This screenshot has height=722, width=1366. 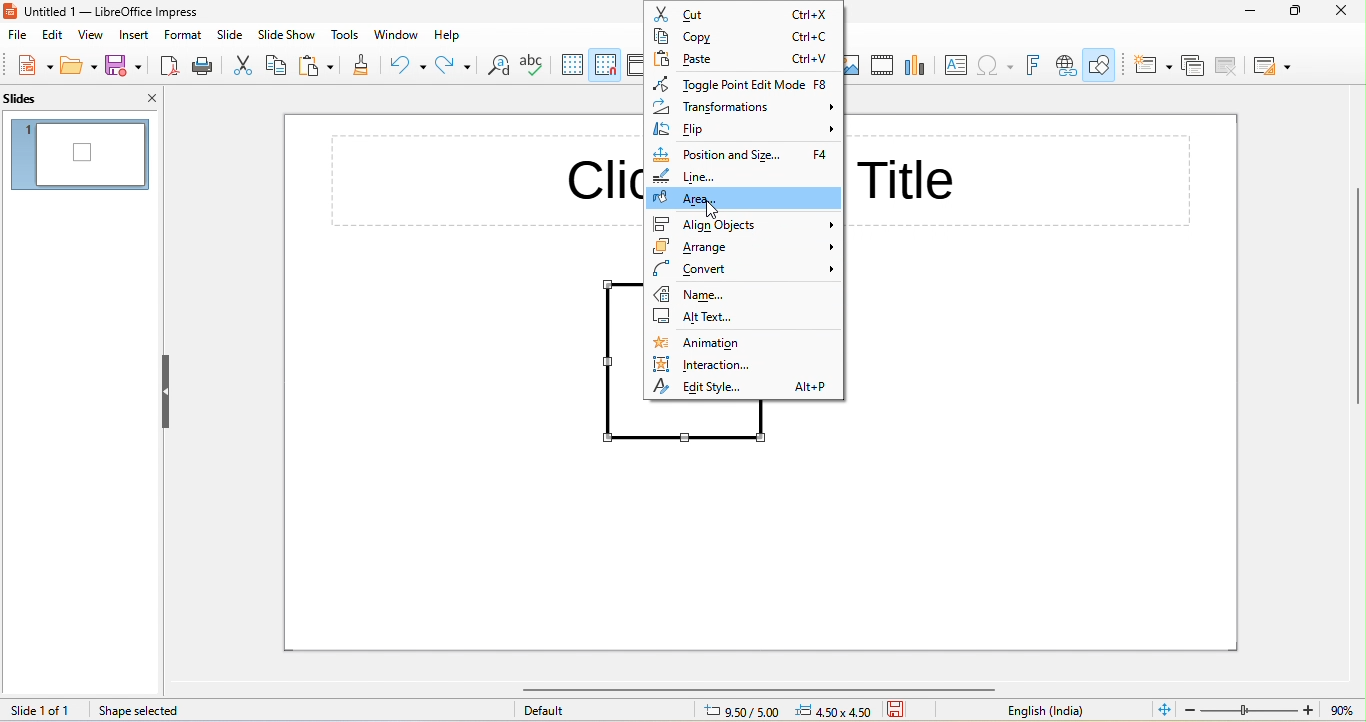 I want to click on ctrl+x, so click(x=811, y=14).